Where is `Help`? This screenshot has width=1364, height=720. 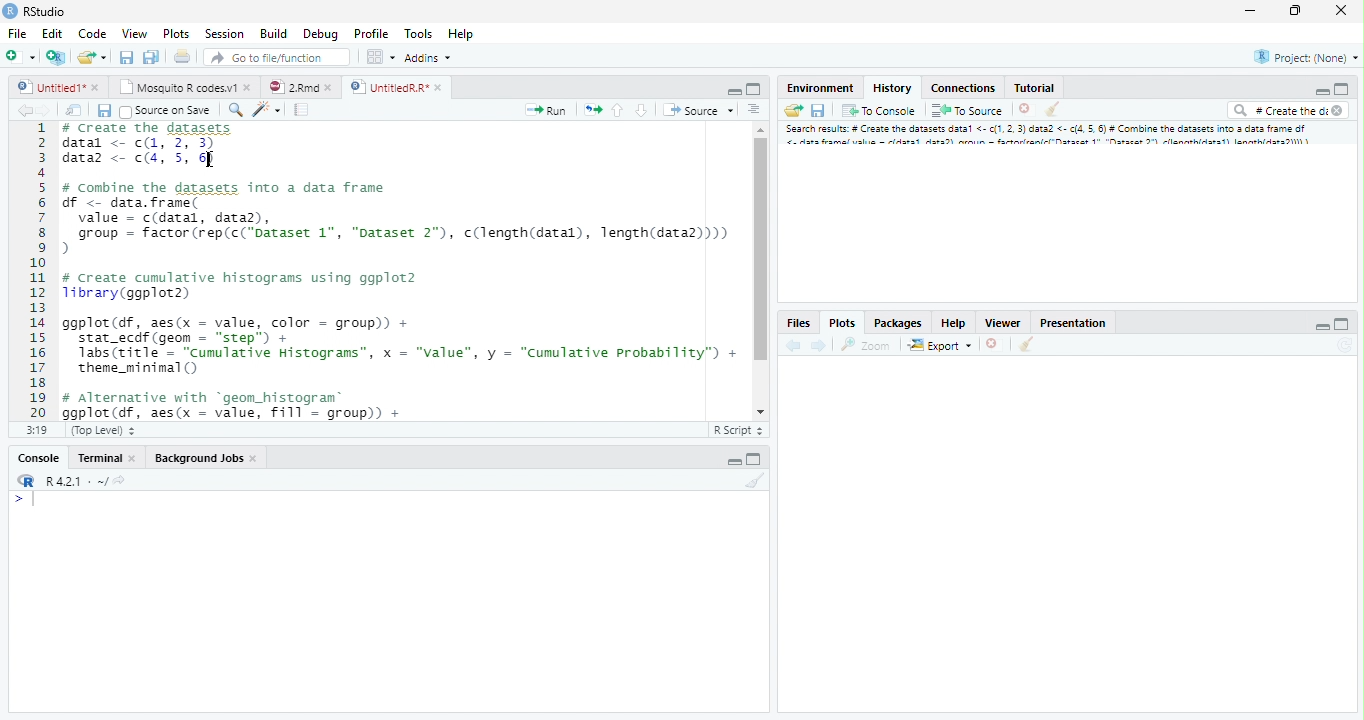 Help is located at coordinates (460, 34).